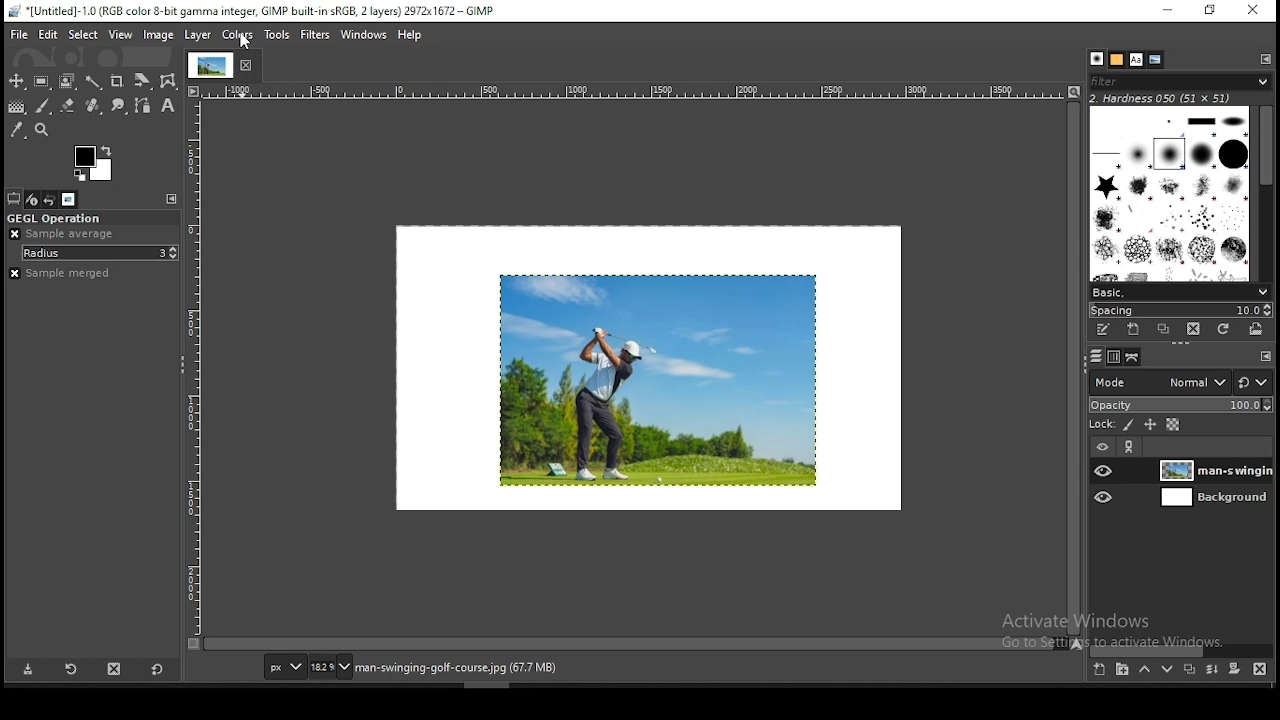  I want to click on crop tool, so click(143, 82).